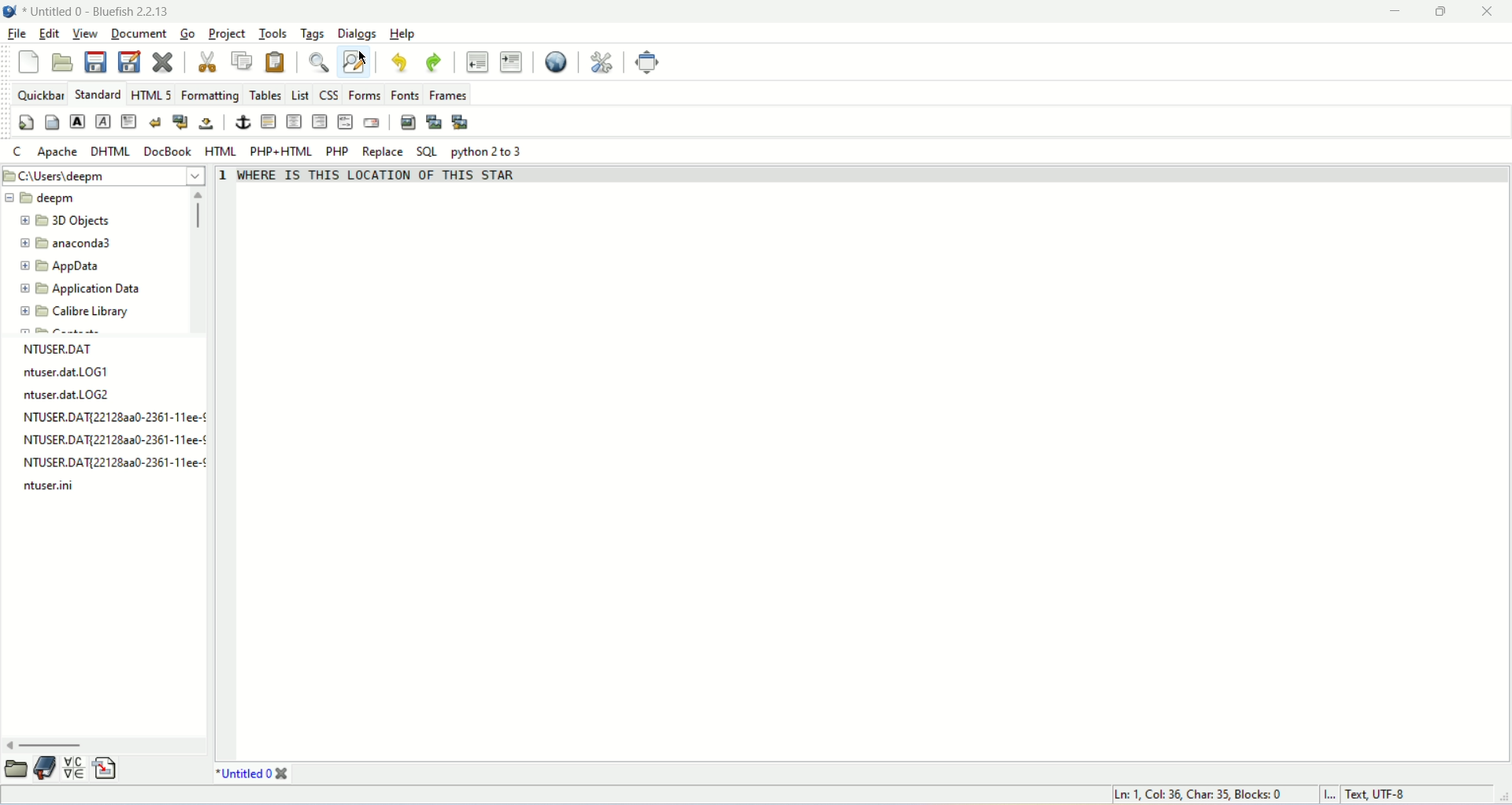 This screenshot has width=1512, height=805. I want to click on snippet, so click(103, 769).